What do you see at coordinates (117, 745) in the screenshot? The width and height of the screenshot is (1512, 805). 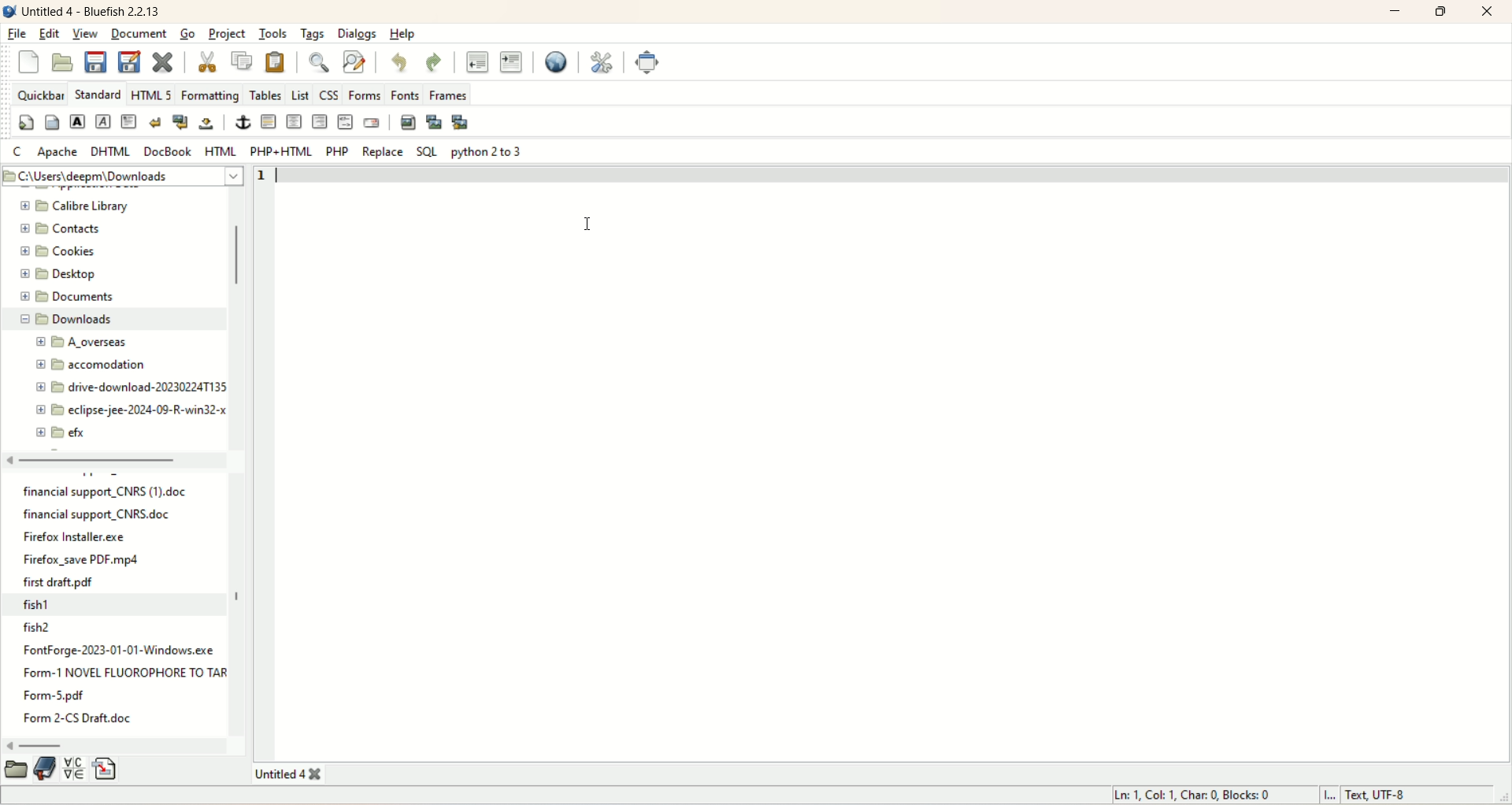 I see `horizontal scroll bar` at bounding box center [117, 745].